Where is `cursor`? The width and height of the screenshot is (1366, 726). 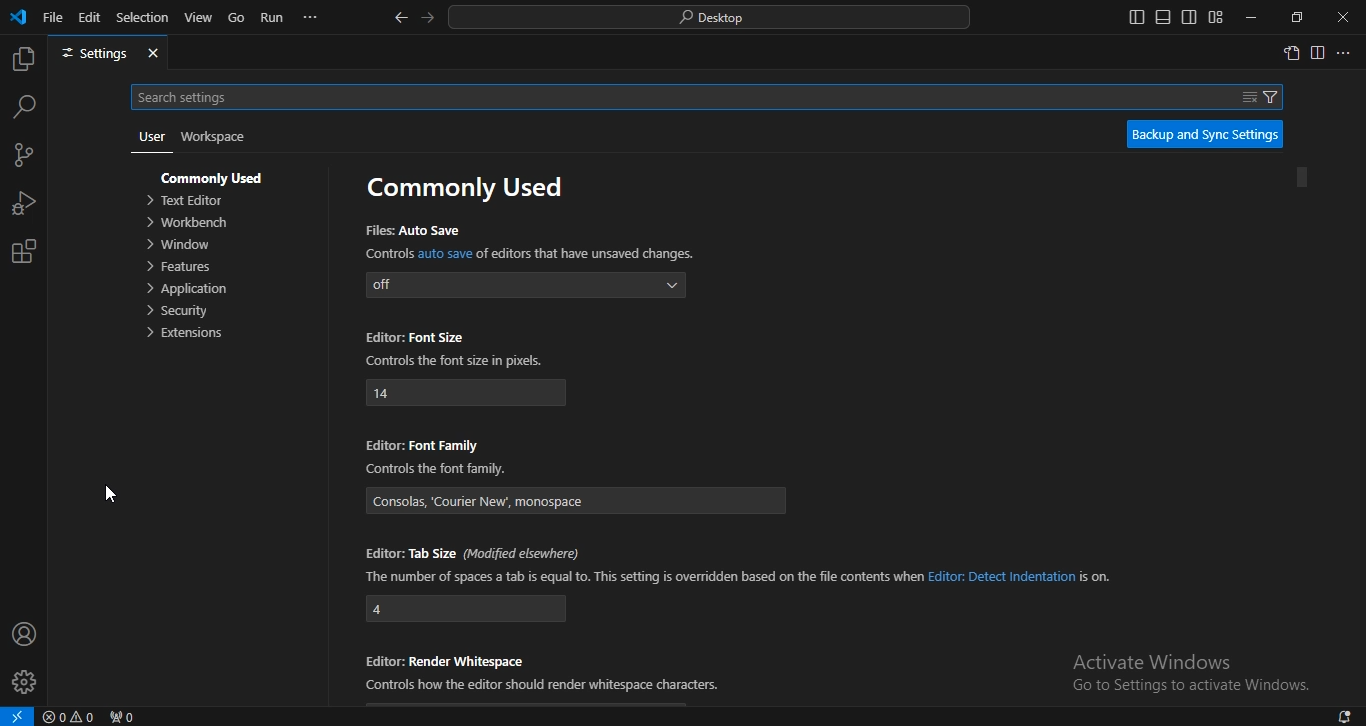
cursor is located at coordinates (112, 494).